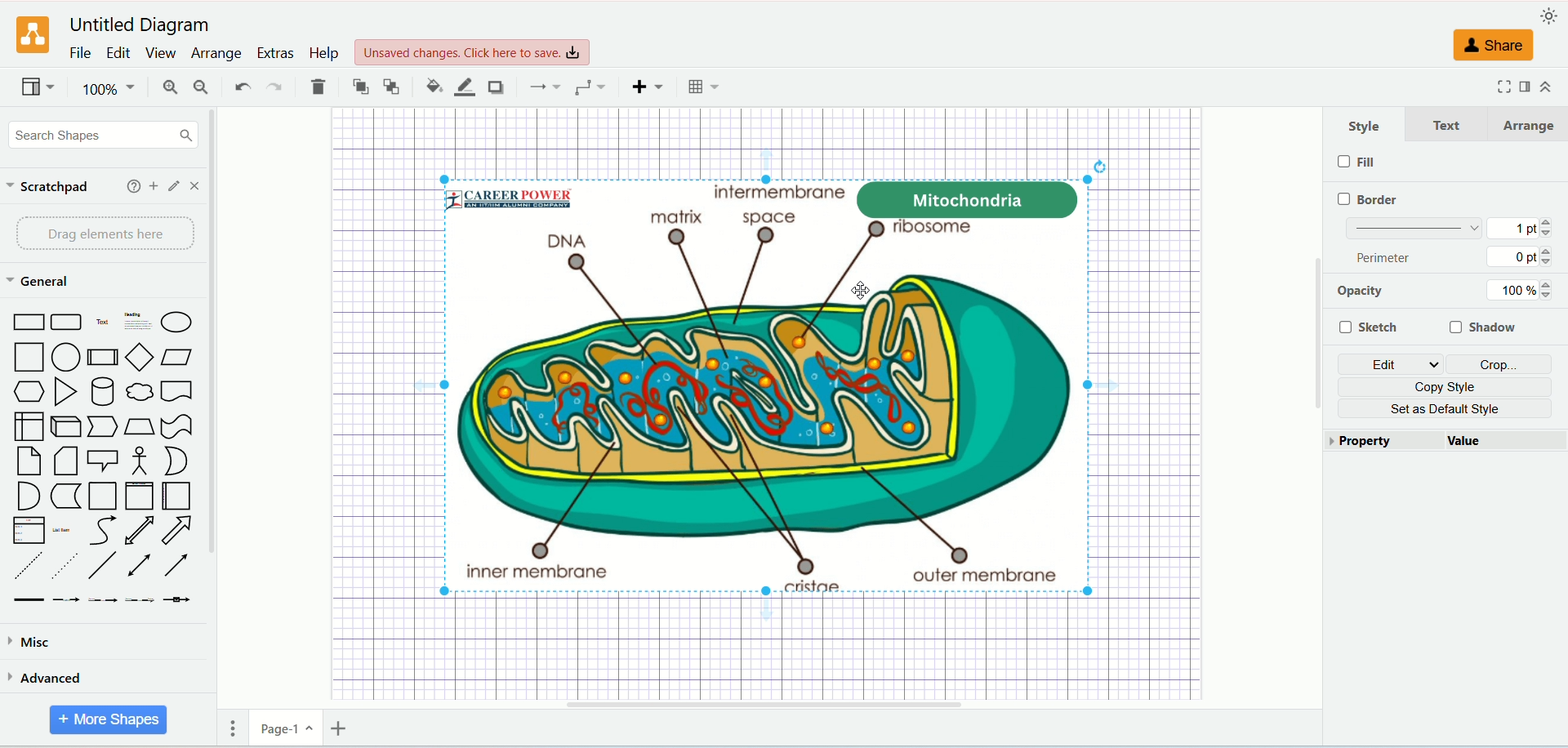  I want to click on Connector with Icon Symbol, so click(178, 602).